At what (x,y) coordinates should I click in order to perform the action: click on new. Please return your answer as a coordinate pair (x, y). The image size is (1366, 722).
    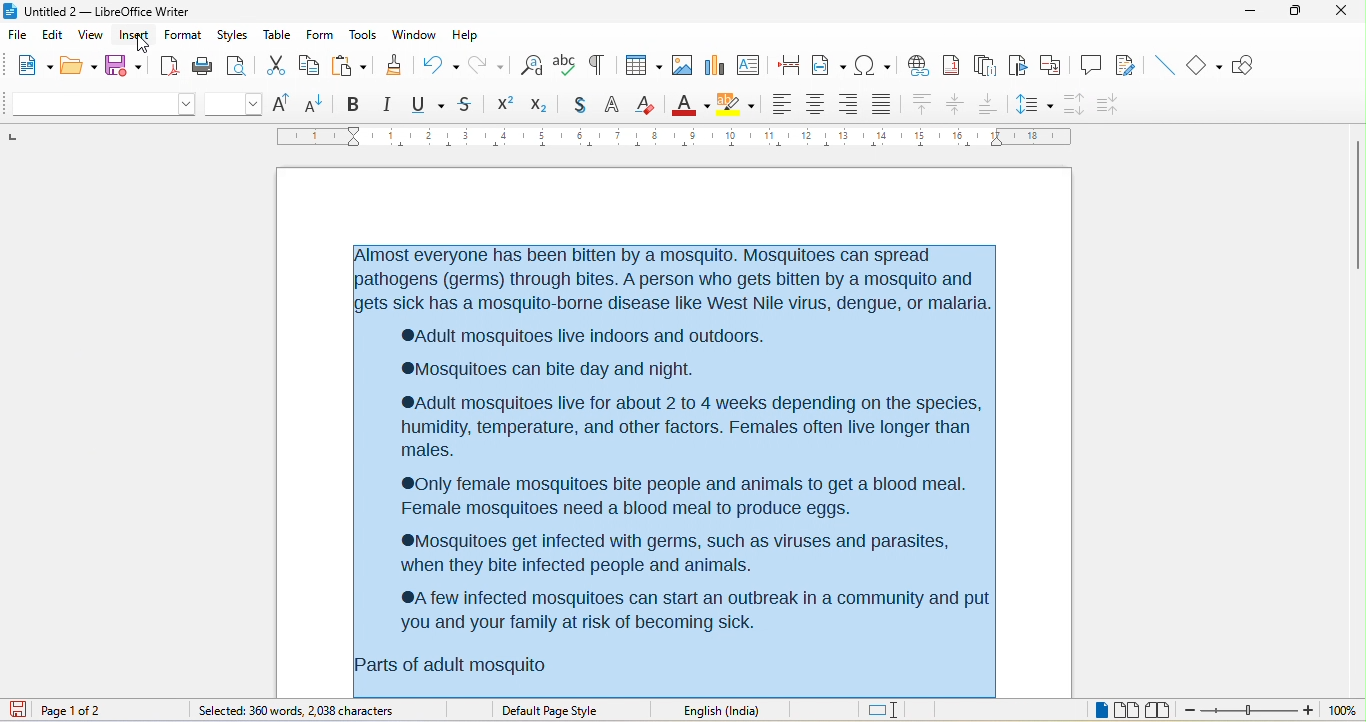
    Looking at the image, I should click on (26, 65).